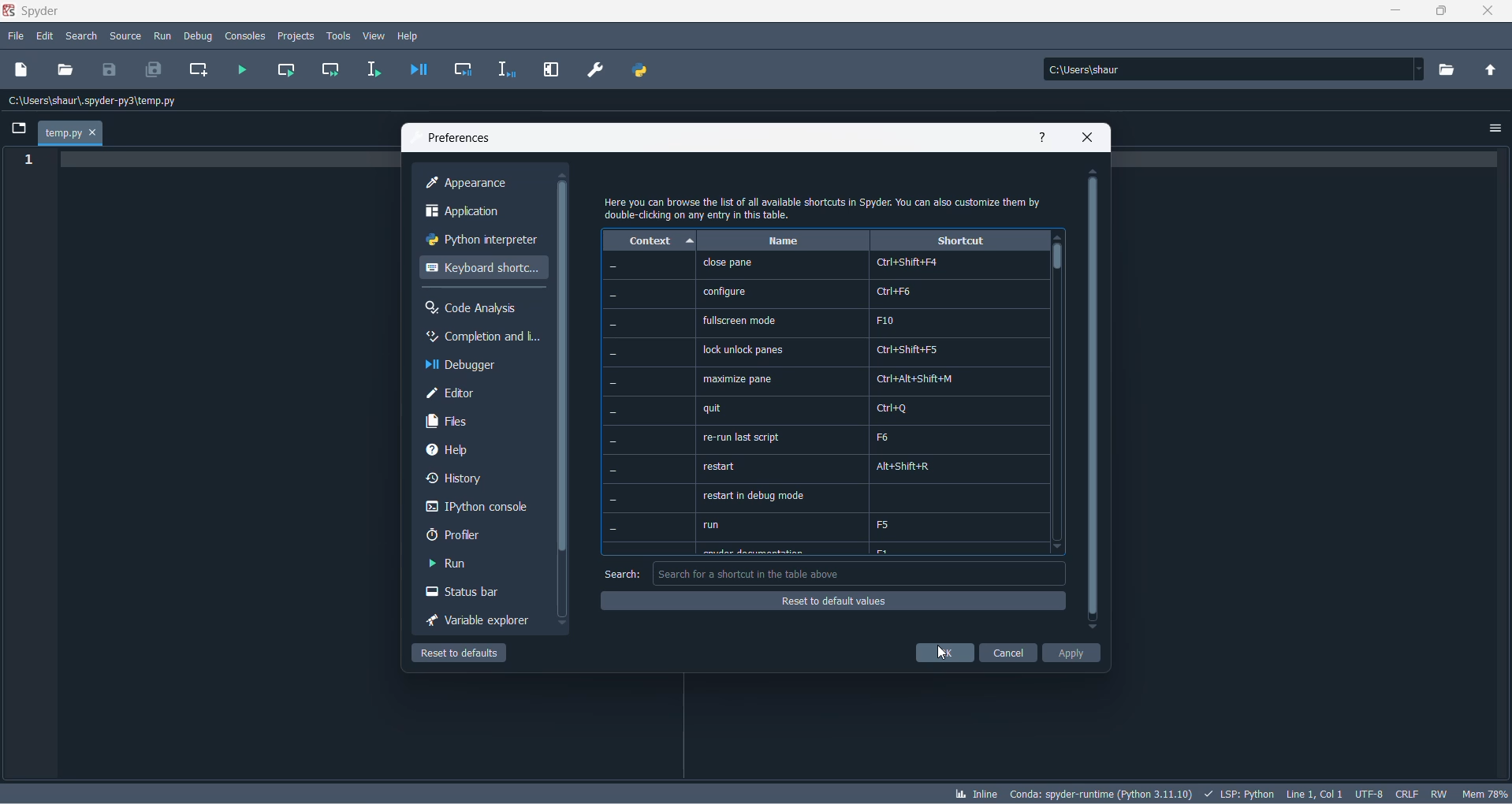 Image resolution: width=1512 pixels, height=804 pixels. Describe the element at coordinates (283, 71) in the screenshot. I see `run current cell` at that location.